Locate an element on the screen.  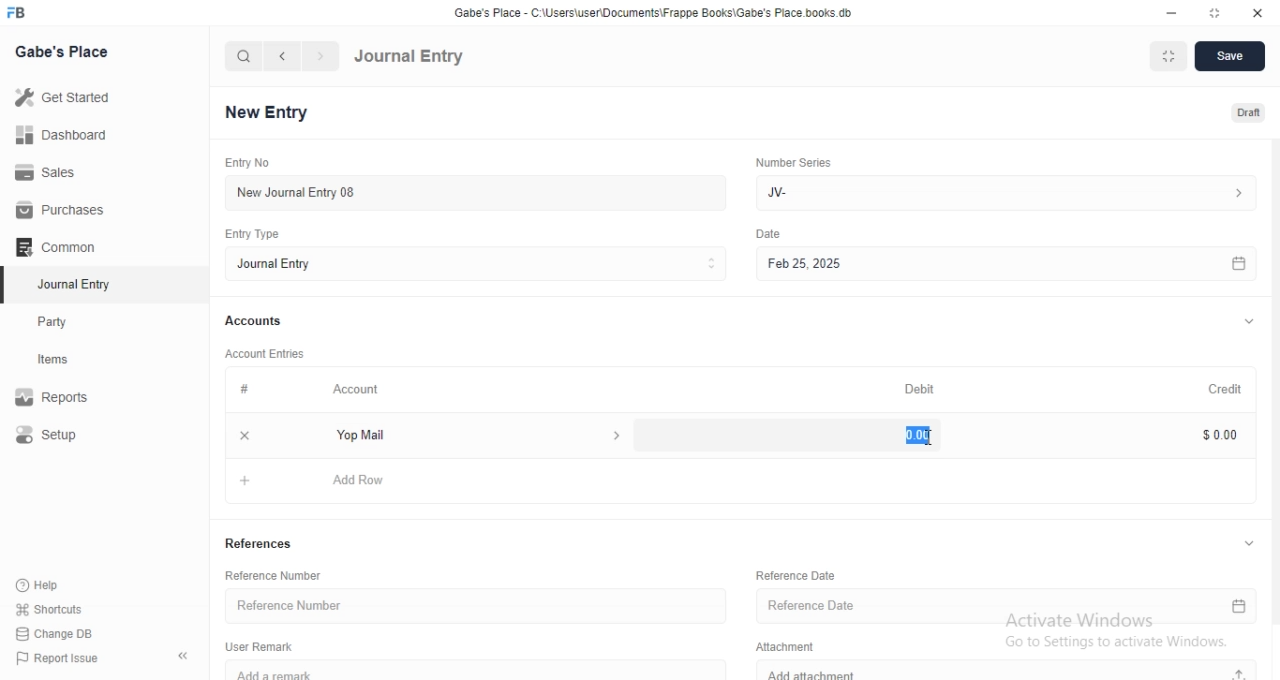
+ Add Row is located at coordinates (745, 479).